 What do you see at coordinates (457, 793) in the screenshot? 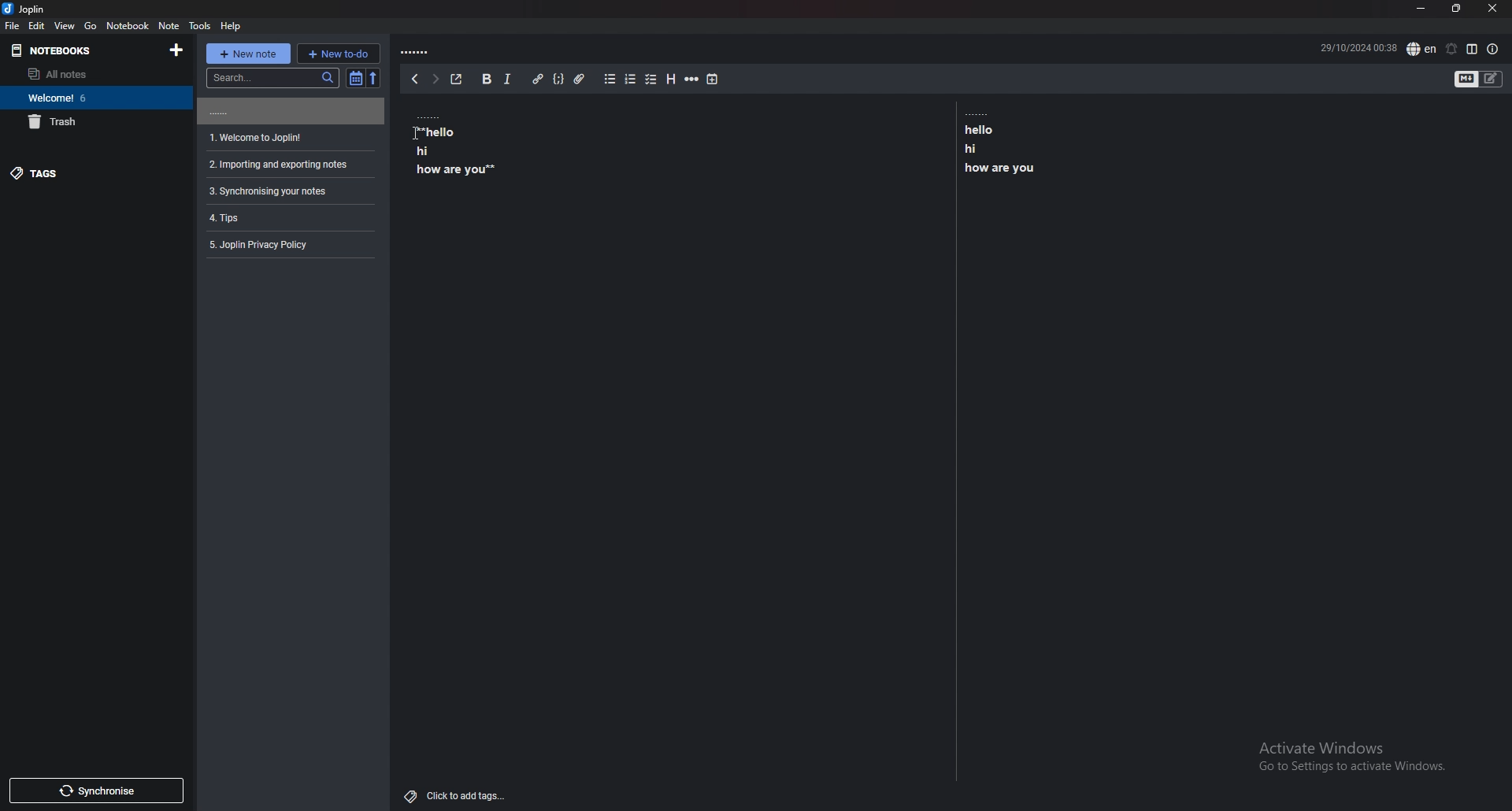
I see `` at bounding box center [457, 793].